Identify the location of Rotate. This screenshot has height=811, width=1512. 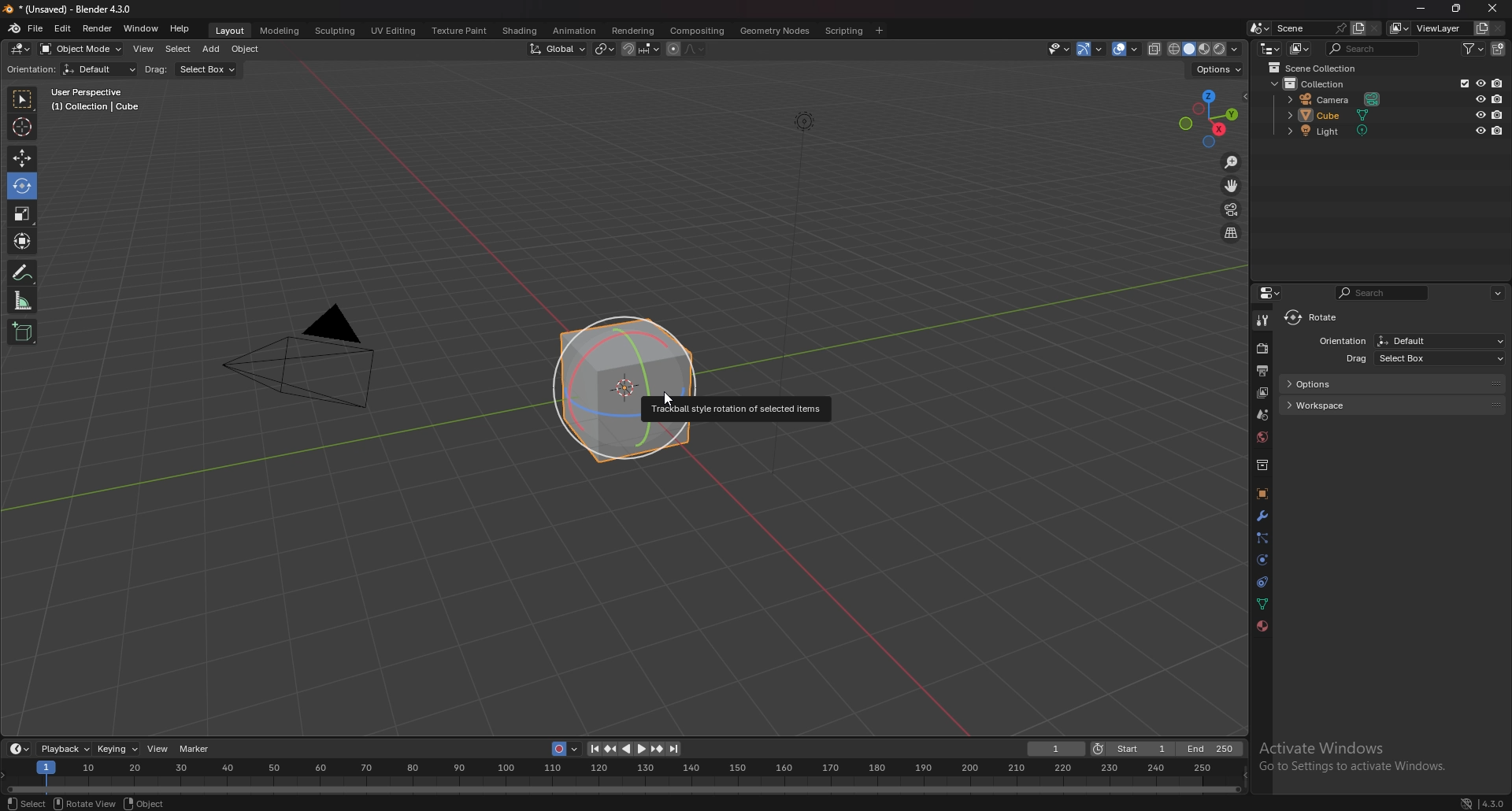
(21, 187).